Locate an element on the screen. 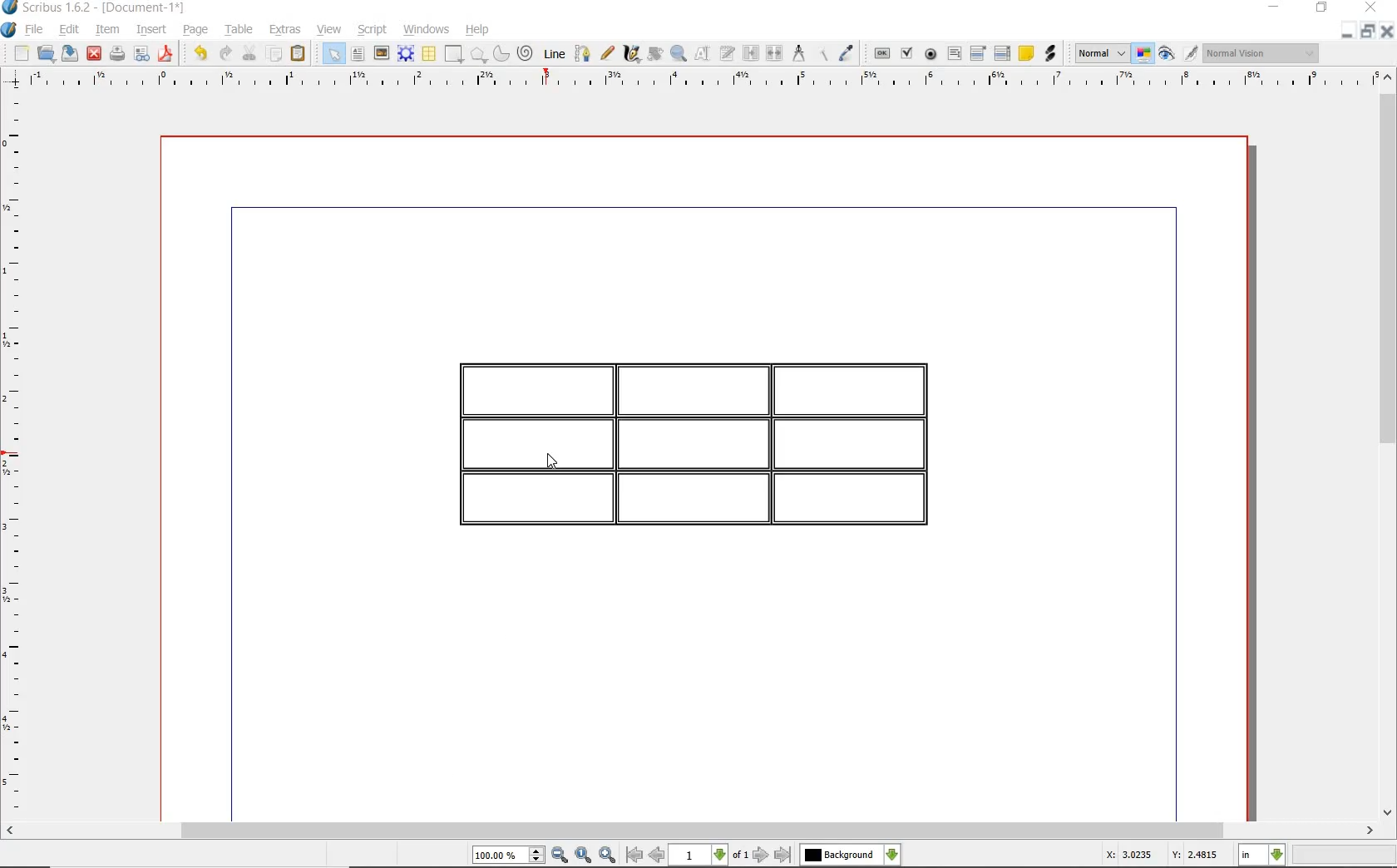 This screenshot has height=868, width=1397. arc is located at coordinates (502, 54).